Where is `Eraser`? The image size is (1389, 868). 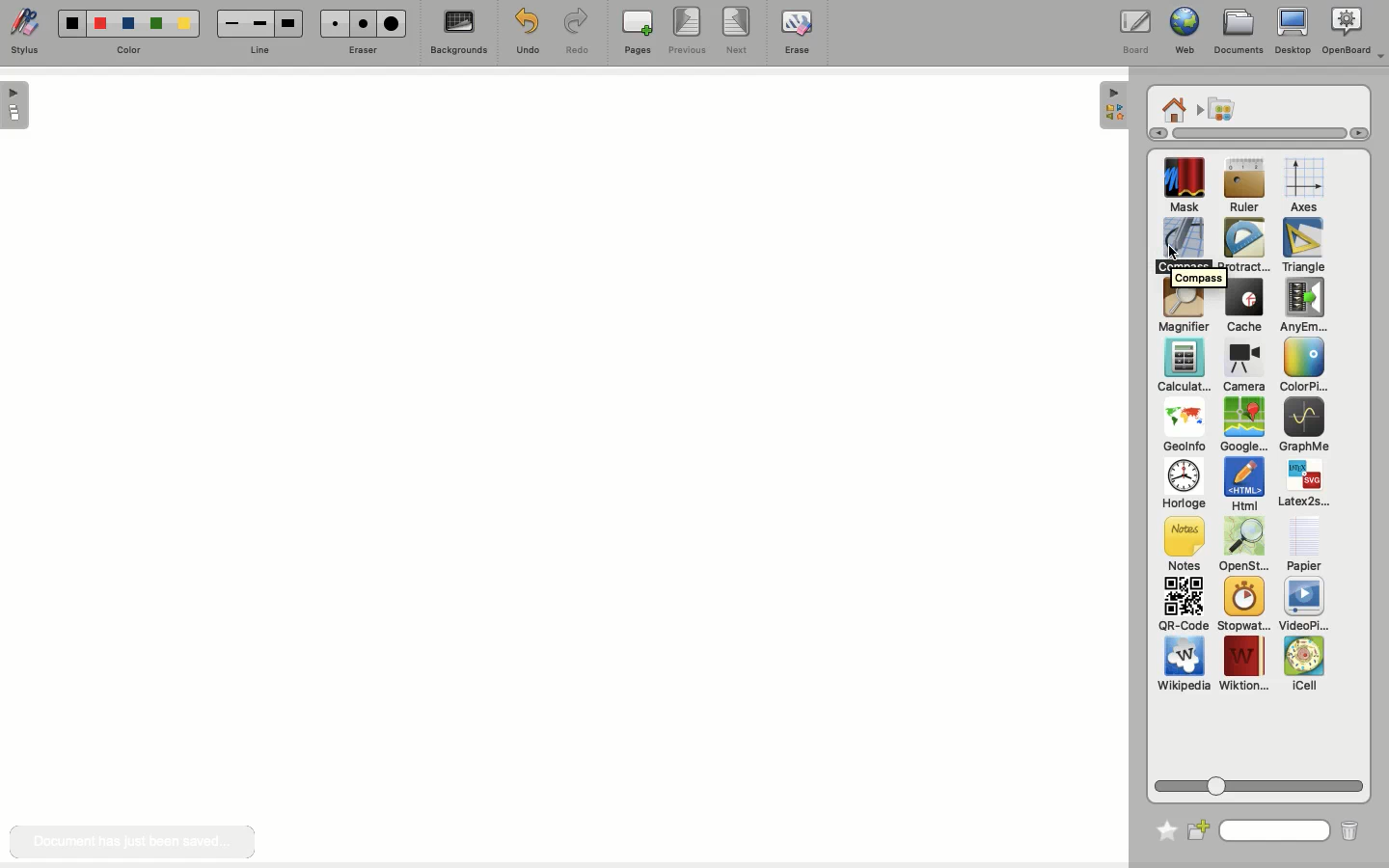
Eraser is located at coordinates (364, 49).